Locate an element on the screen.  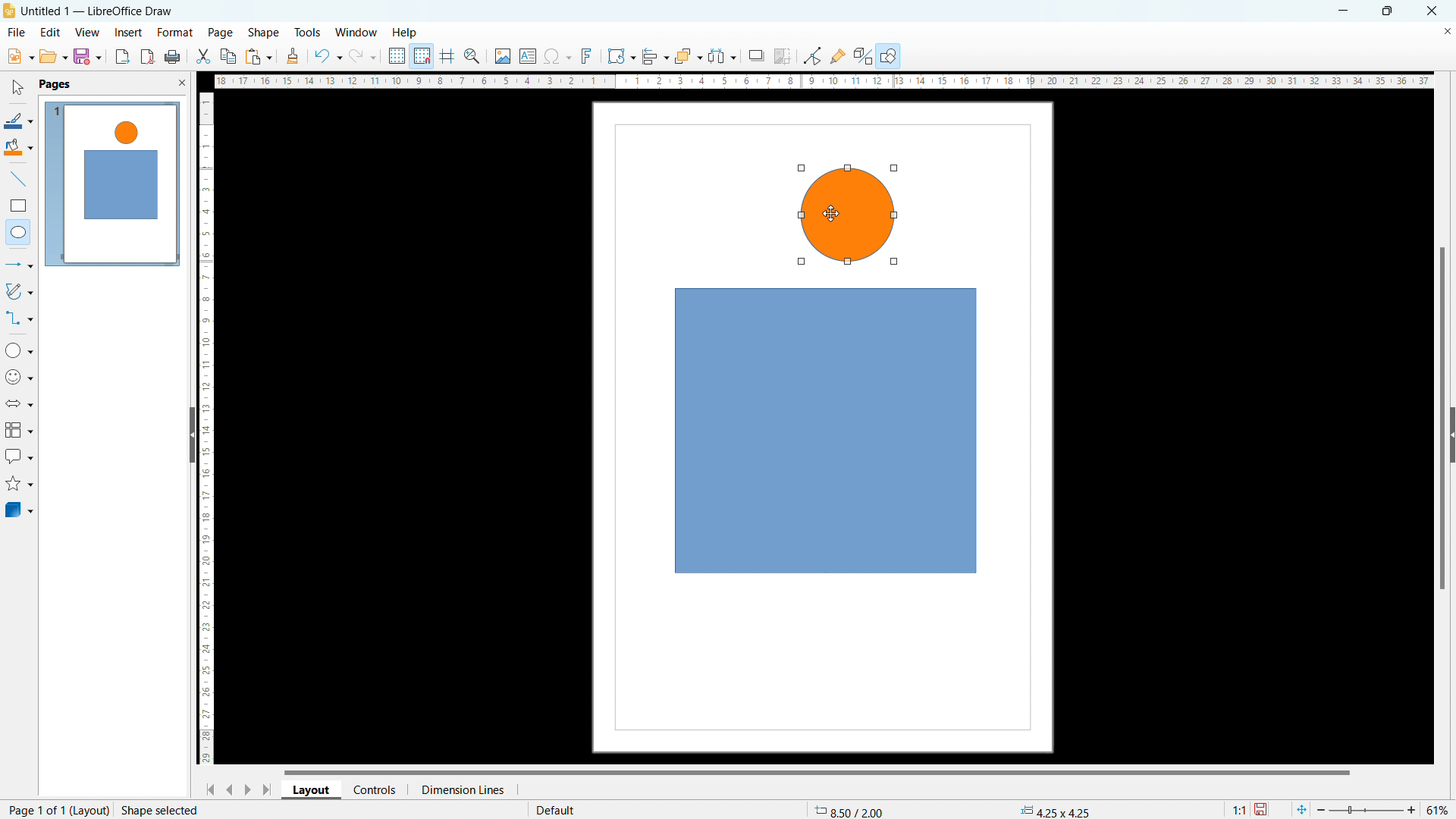
callout shapes is located at coordinates (20, 457).